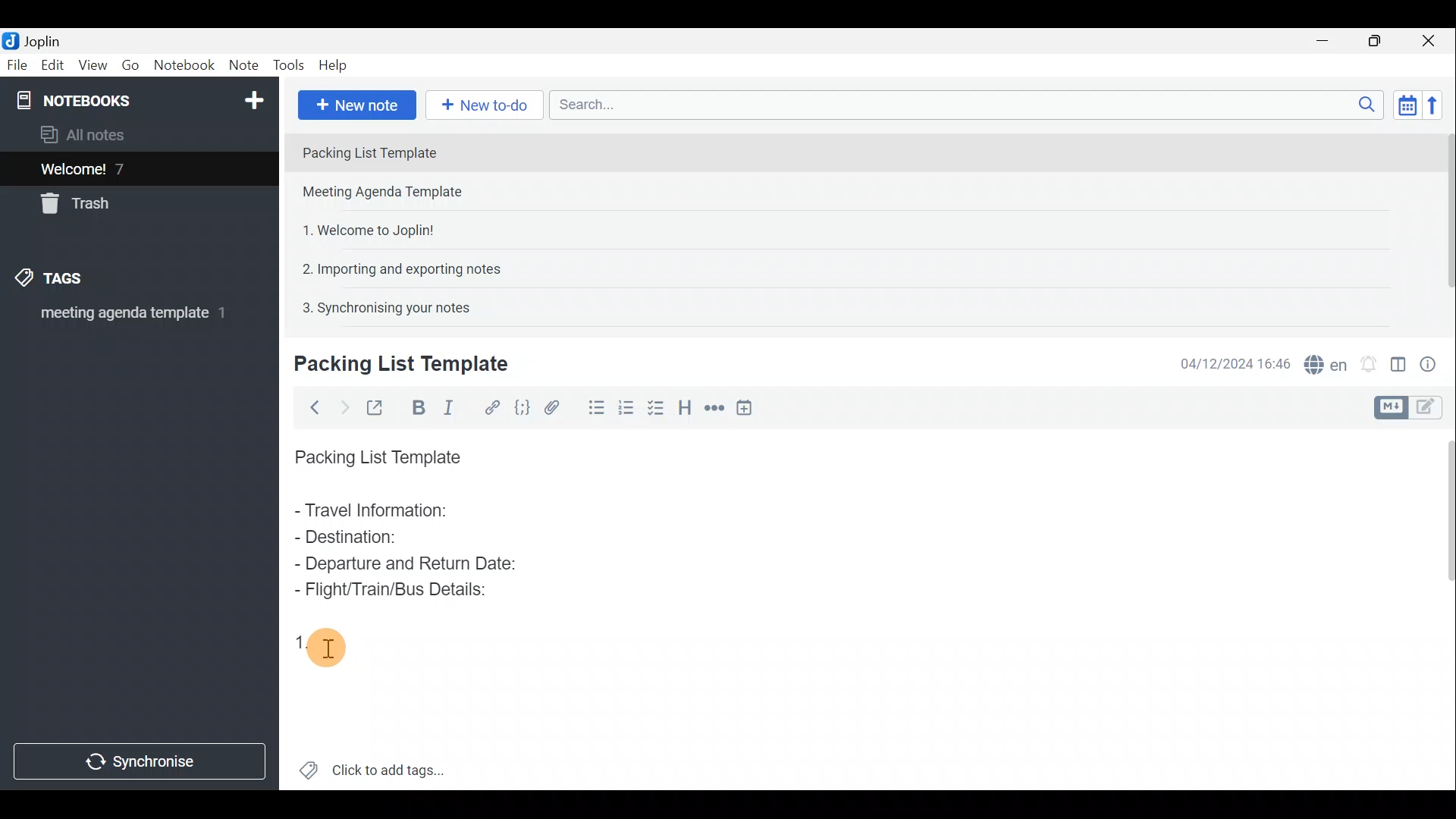 Image resolution: width=1456 pixels, height=819 pixels. I want to click on Edit, so click(49, 66).